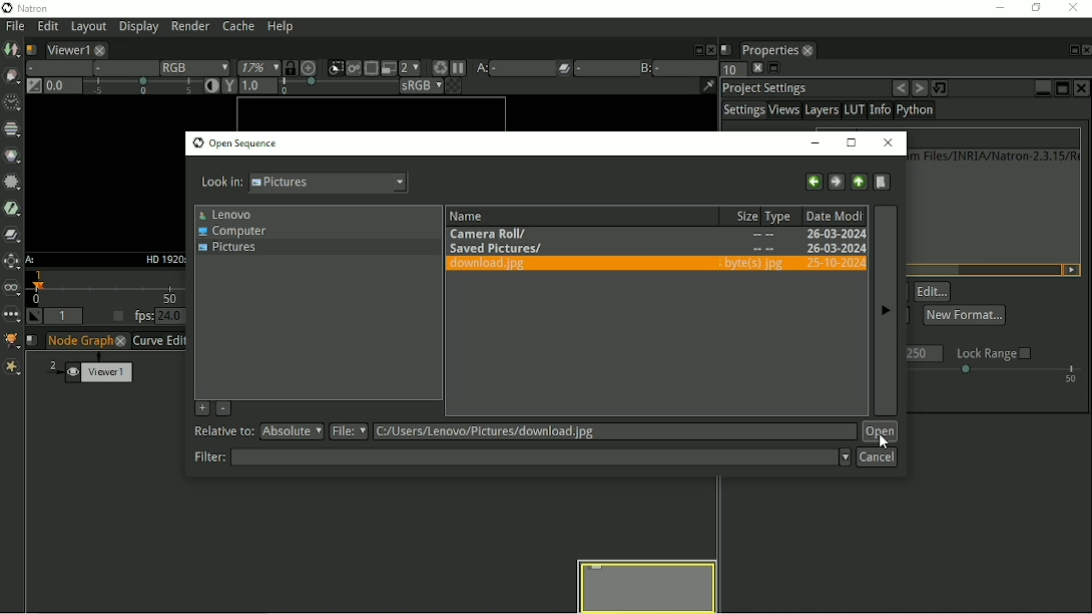 The image size is (1092, 614). What do you see at coordinates (409, 67) in the screenshot?
I see `Scale down render` at bounding box center [409, 67].